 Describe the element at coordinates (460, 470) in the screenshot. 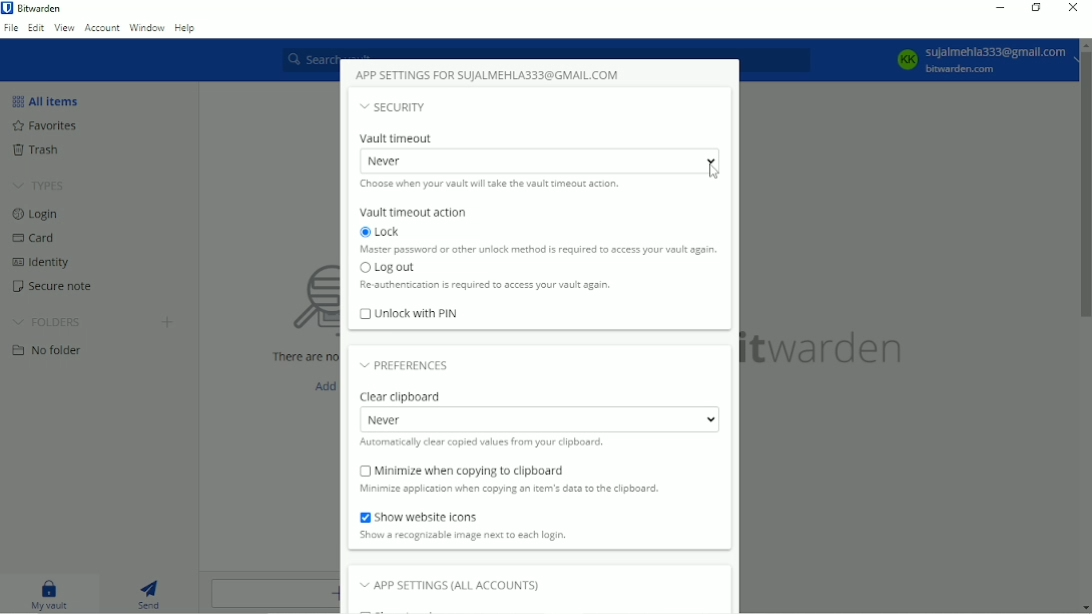

I see `Minimize when copying to clipboard` at that location.